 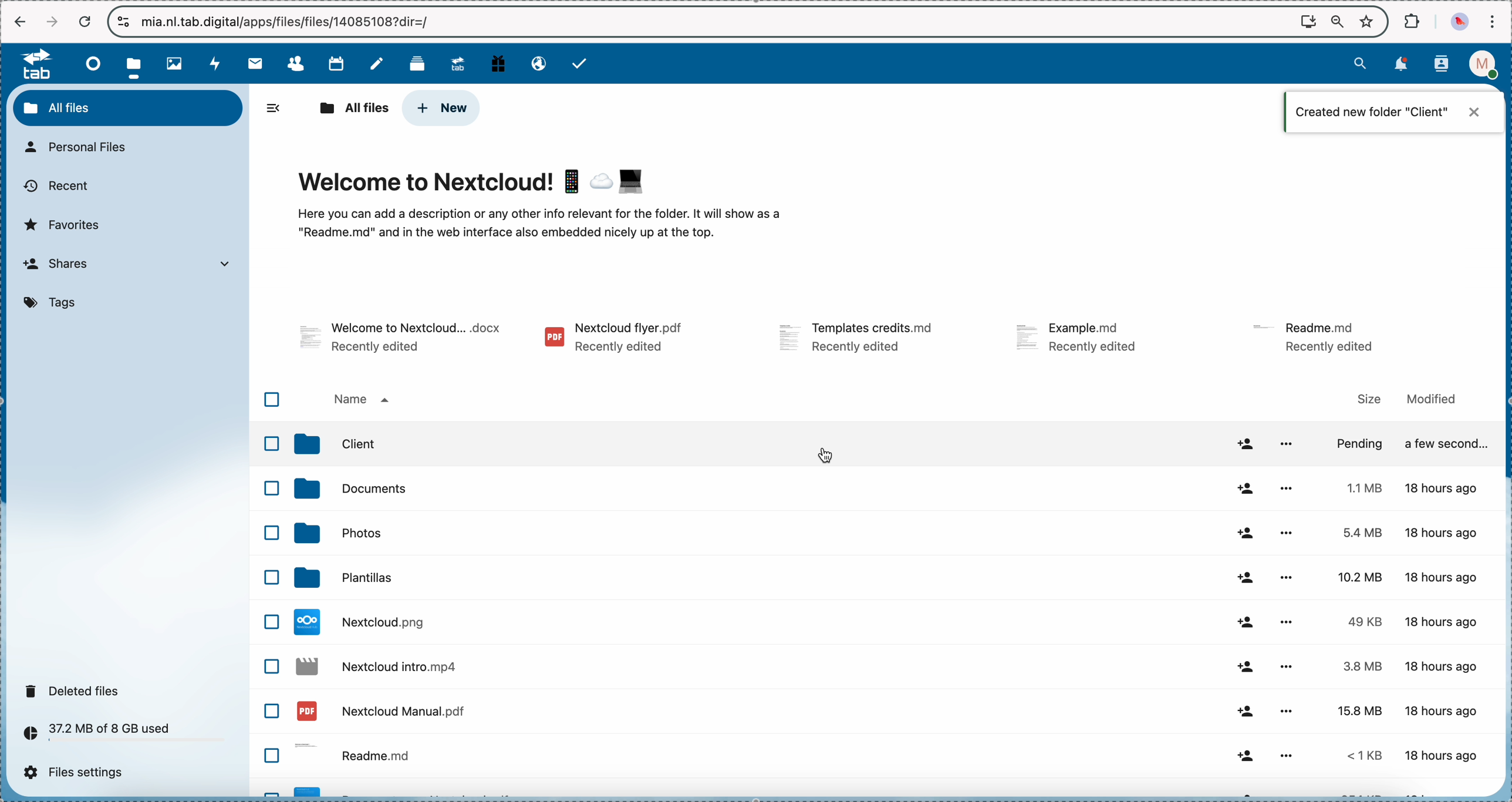 What do you see at coordinates (420, 62) in the screenshot?
I see `deck` at bounding box center [420, 62].